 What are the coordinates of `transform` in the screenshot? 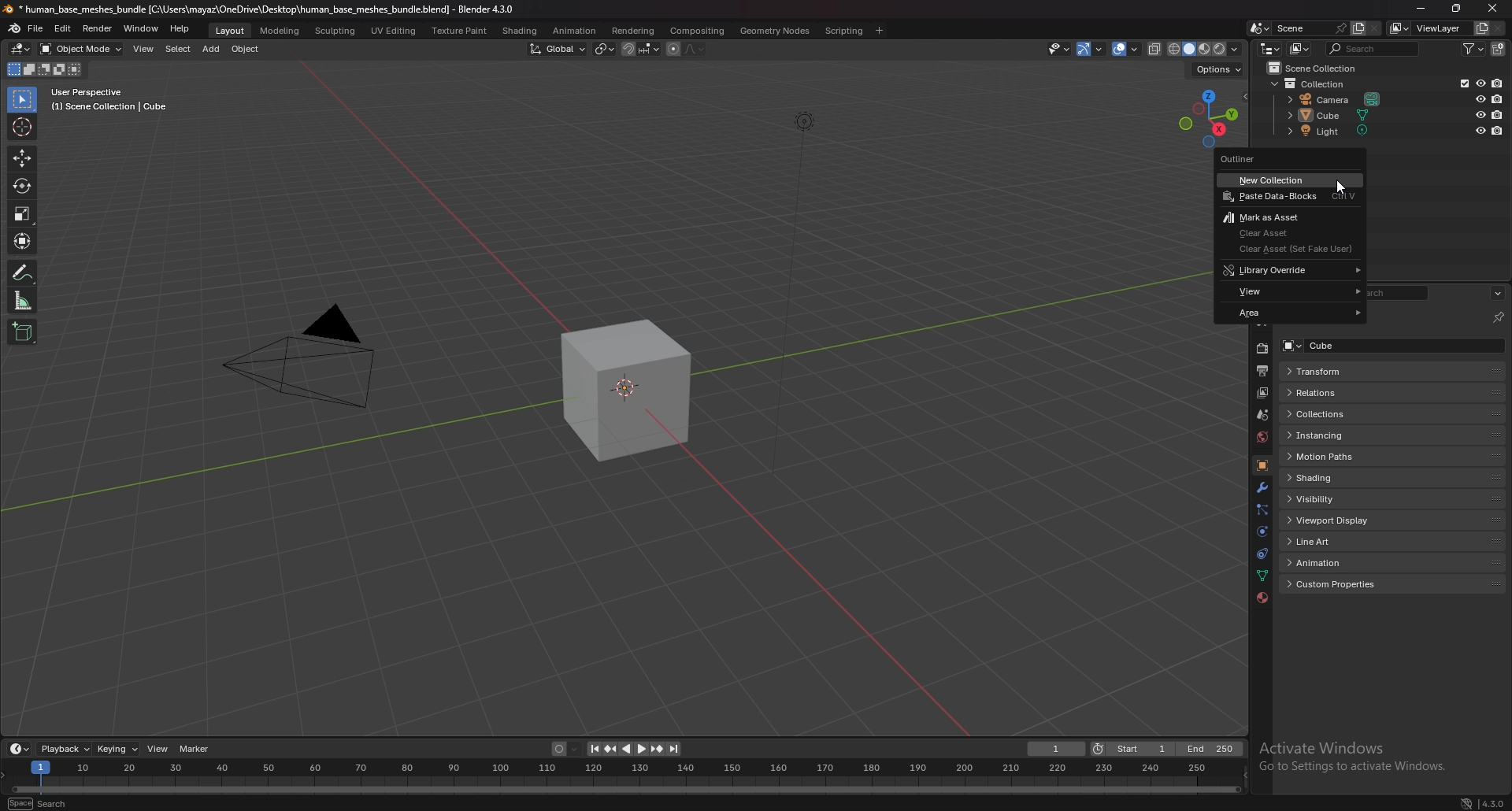 It's located at (1338, 371).